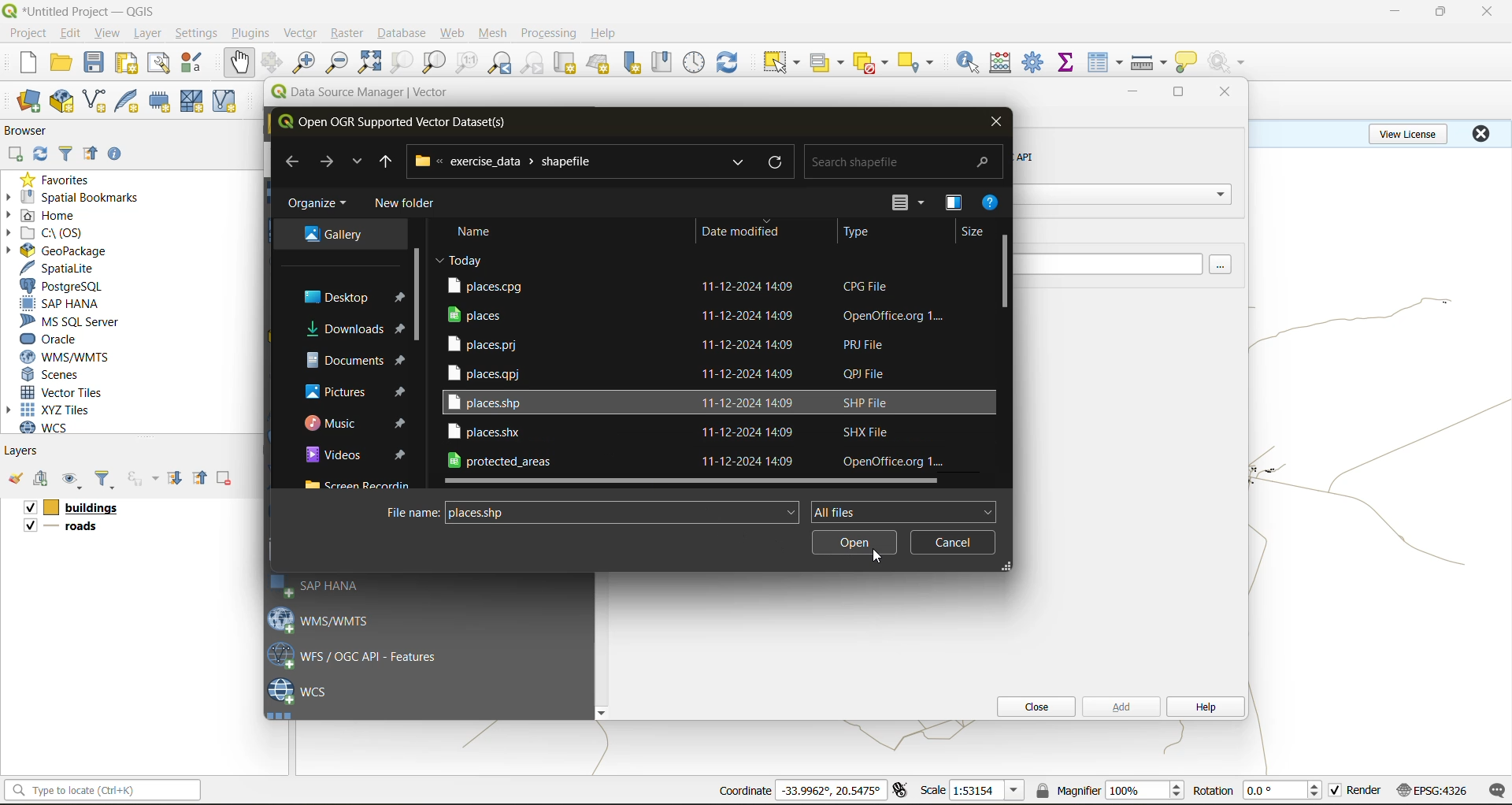 This screenshot has height=805, width=1512. Describe the element at coordinates (673, 432) in the screenshot. I see `file/folder names` at that location.